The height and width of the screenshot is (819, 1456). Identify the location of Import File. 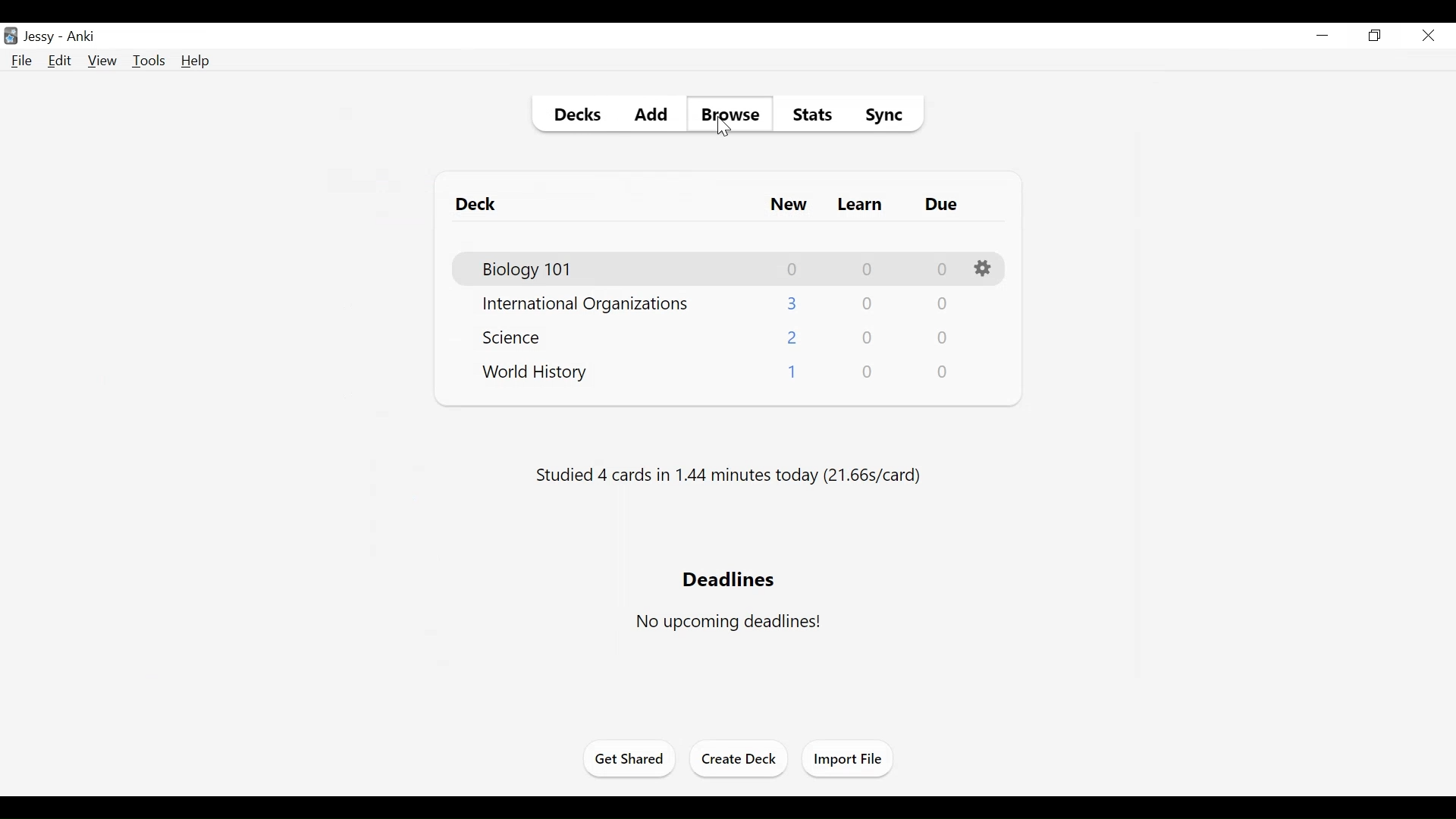
(852, 760).